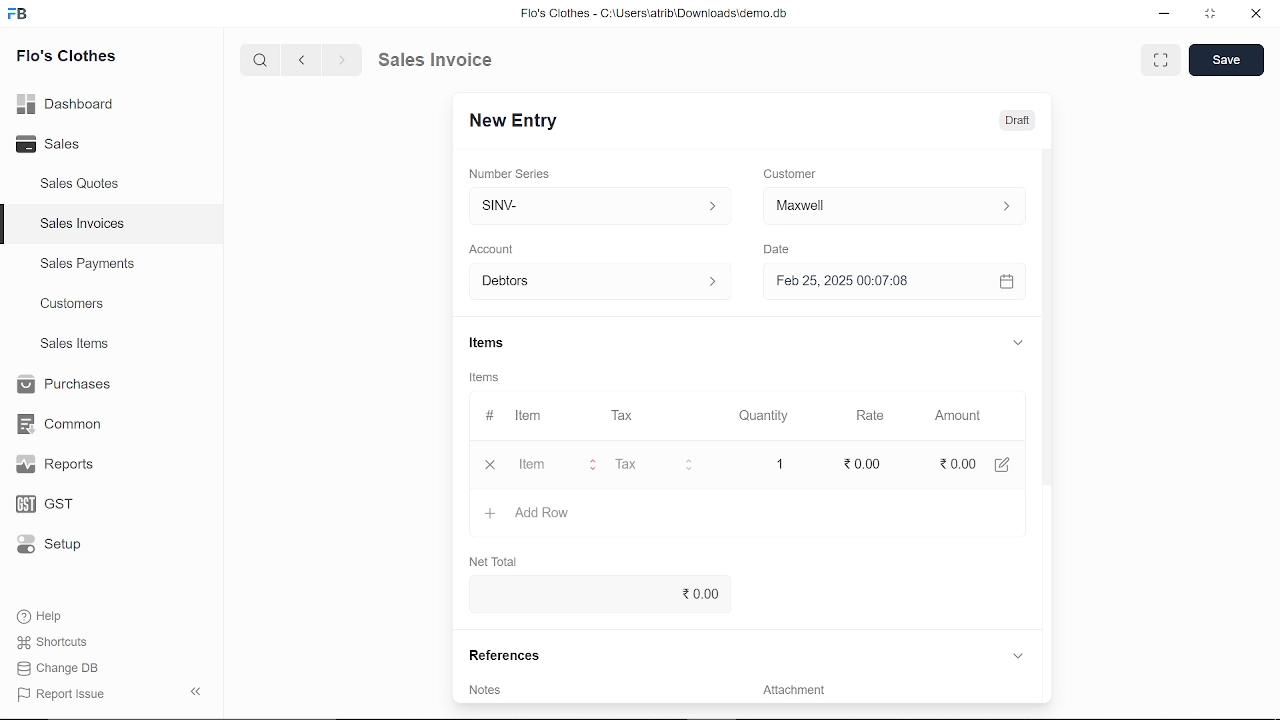 The height and width of the screenshot is (720, 1280). I want to click on Sales Invoices, so click(82, 224).